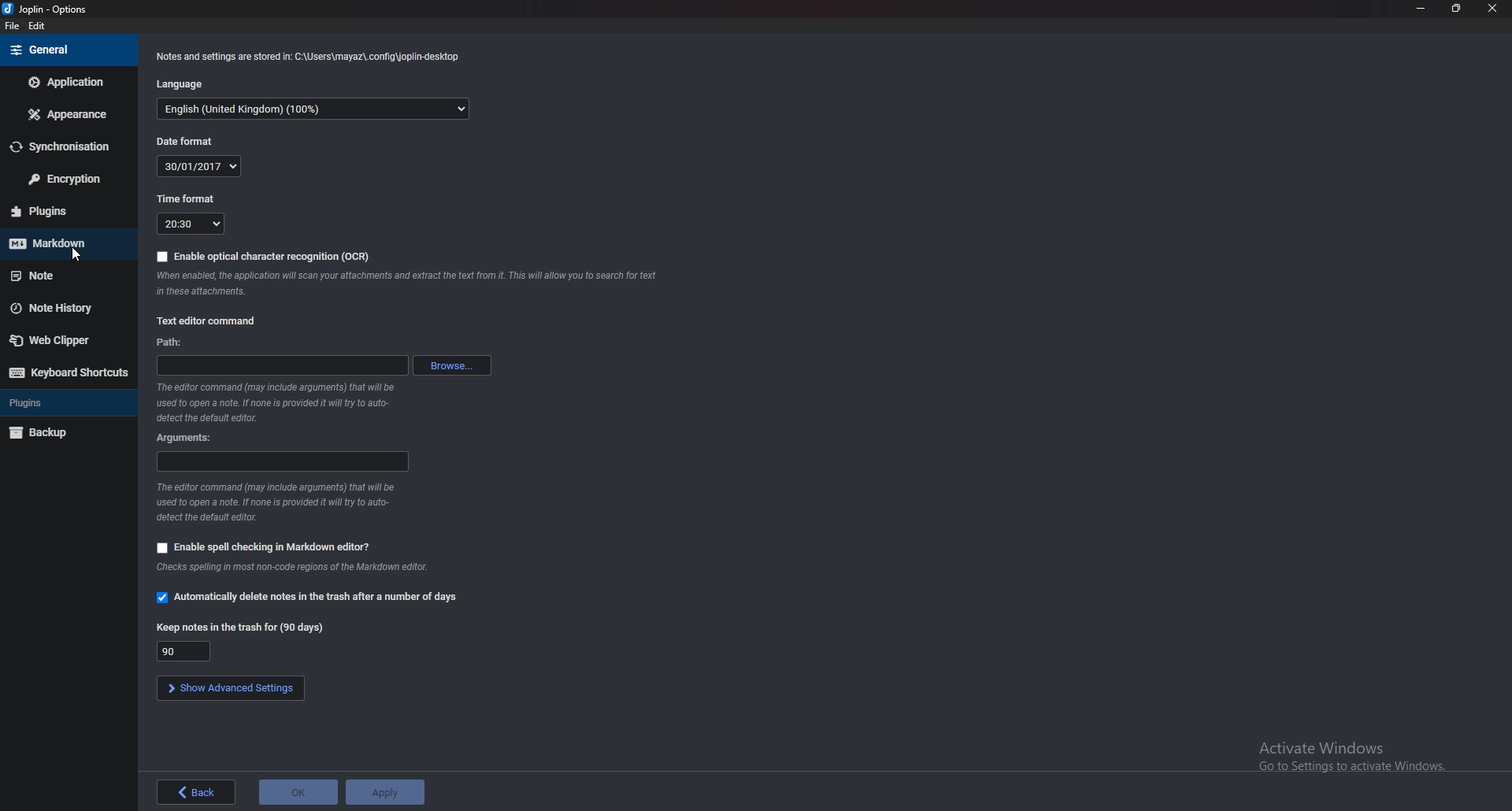 The image size is (1512, 811). I want to click on Info, so click(309, 55).